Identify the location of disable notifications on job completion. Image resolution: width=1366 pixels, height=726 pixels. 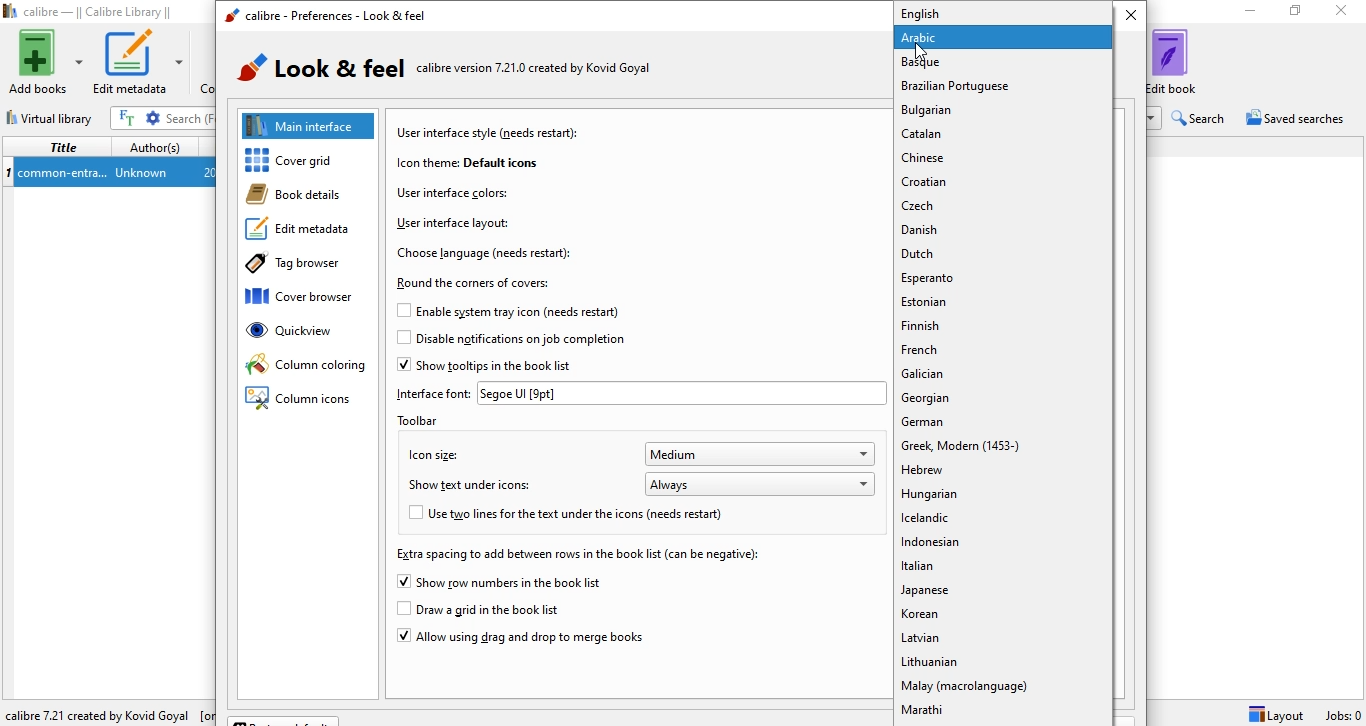
(510, 342).